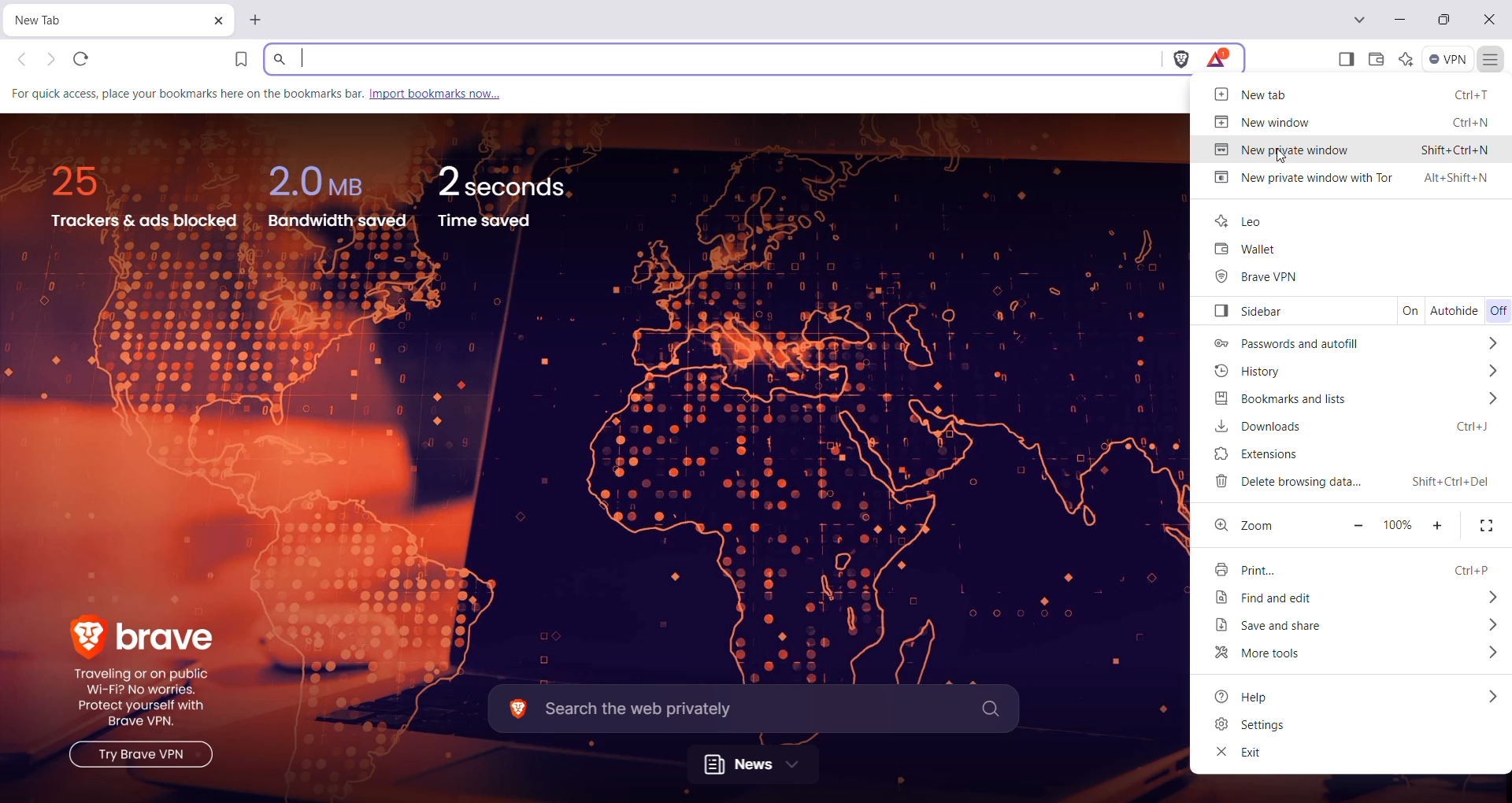 The height and width of the screenshot is (803, 1512). What do you see at coordinates (1485, 598) in the screenshot?
I see `More options` at bounding box center [1485, 598].